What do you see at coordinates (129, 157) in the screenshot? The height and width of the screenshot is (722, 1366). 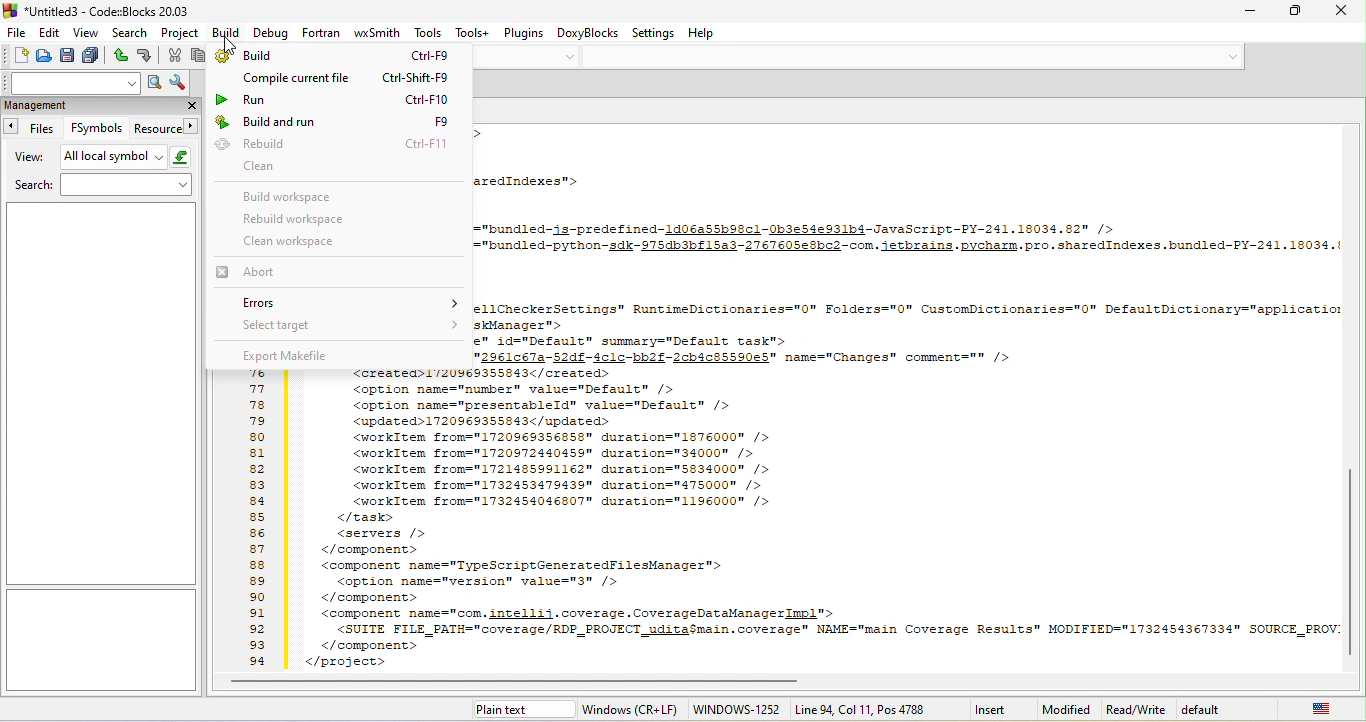 I see `all local symbol` at bounding box center [129, 157].